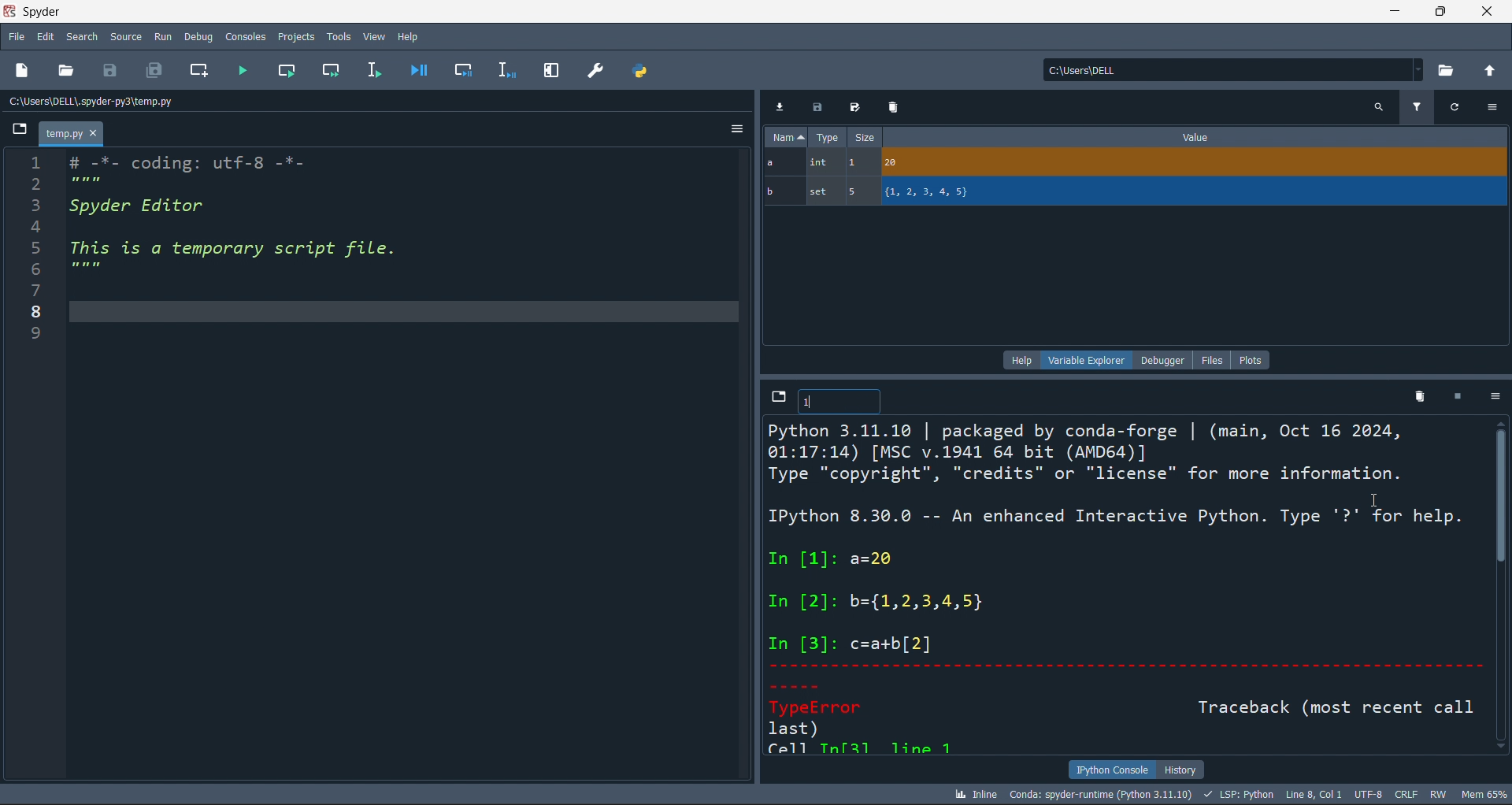  What do you see at coordinates (197, 72) in the screenshot?
I see `create cell` at bounding box center [197, 72].